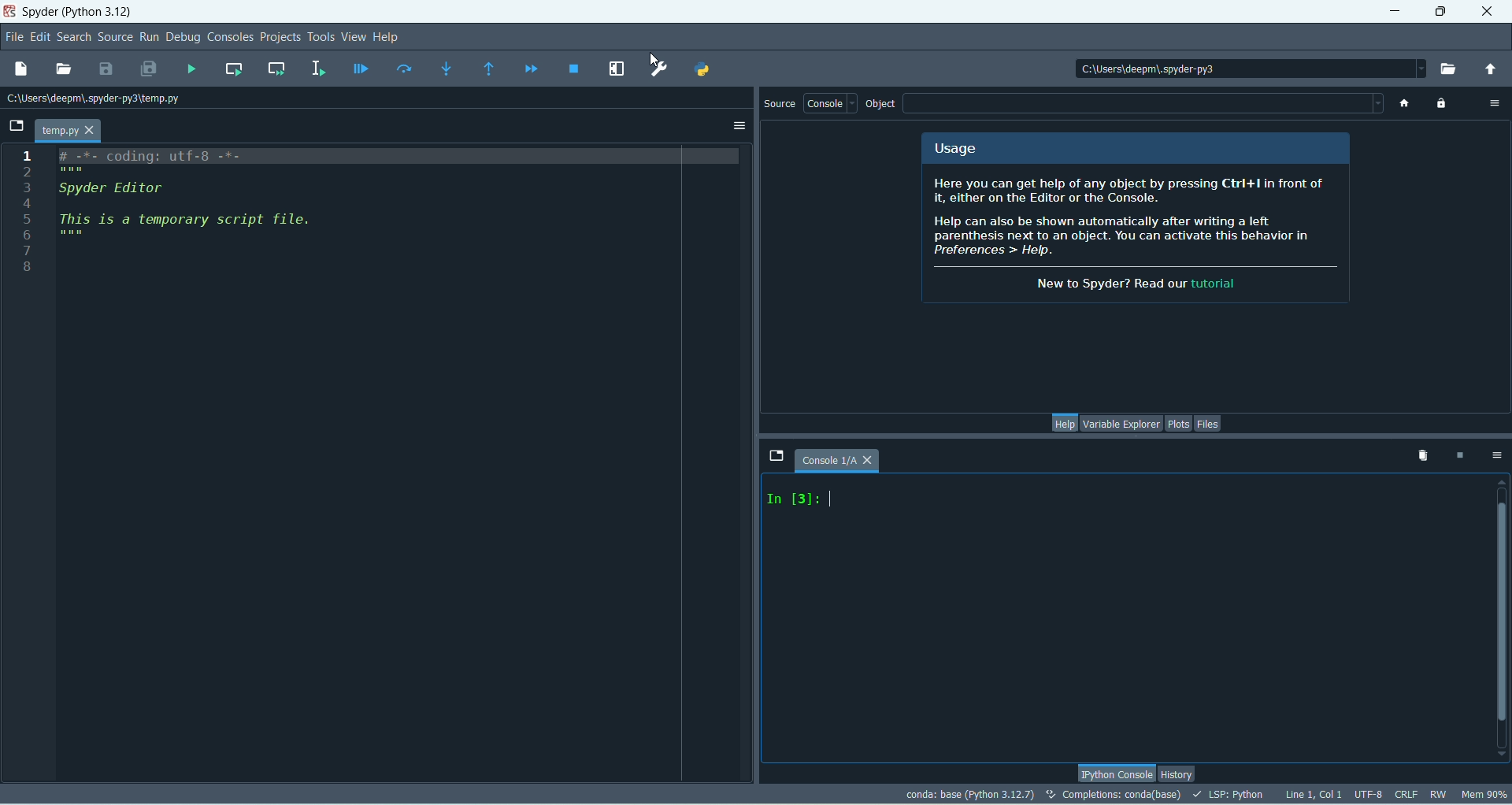 Image resolution: width=1512 pixels, height=805 pixels. What do you see at coordinates (28, 210) in the screenshot?
I see `numbers` at bounding box center [28, 210].